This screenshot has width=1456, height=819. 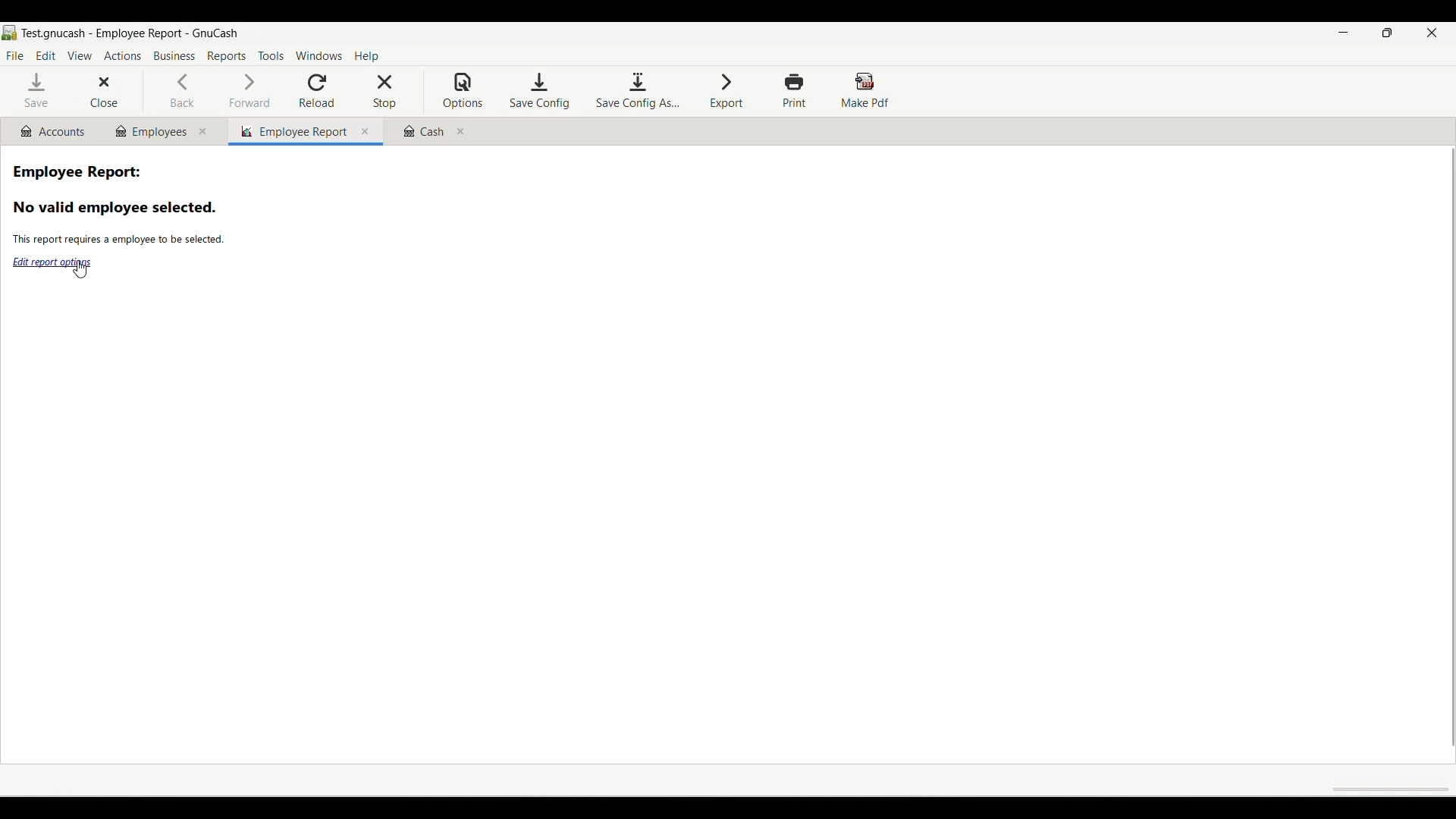 I want to click on Back, so click(x=180, y=91).